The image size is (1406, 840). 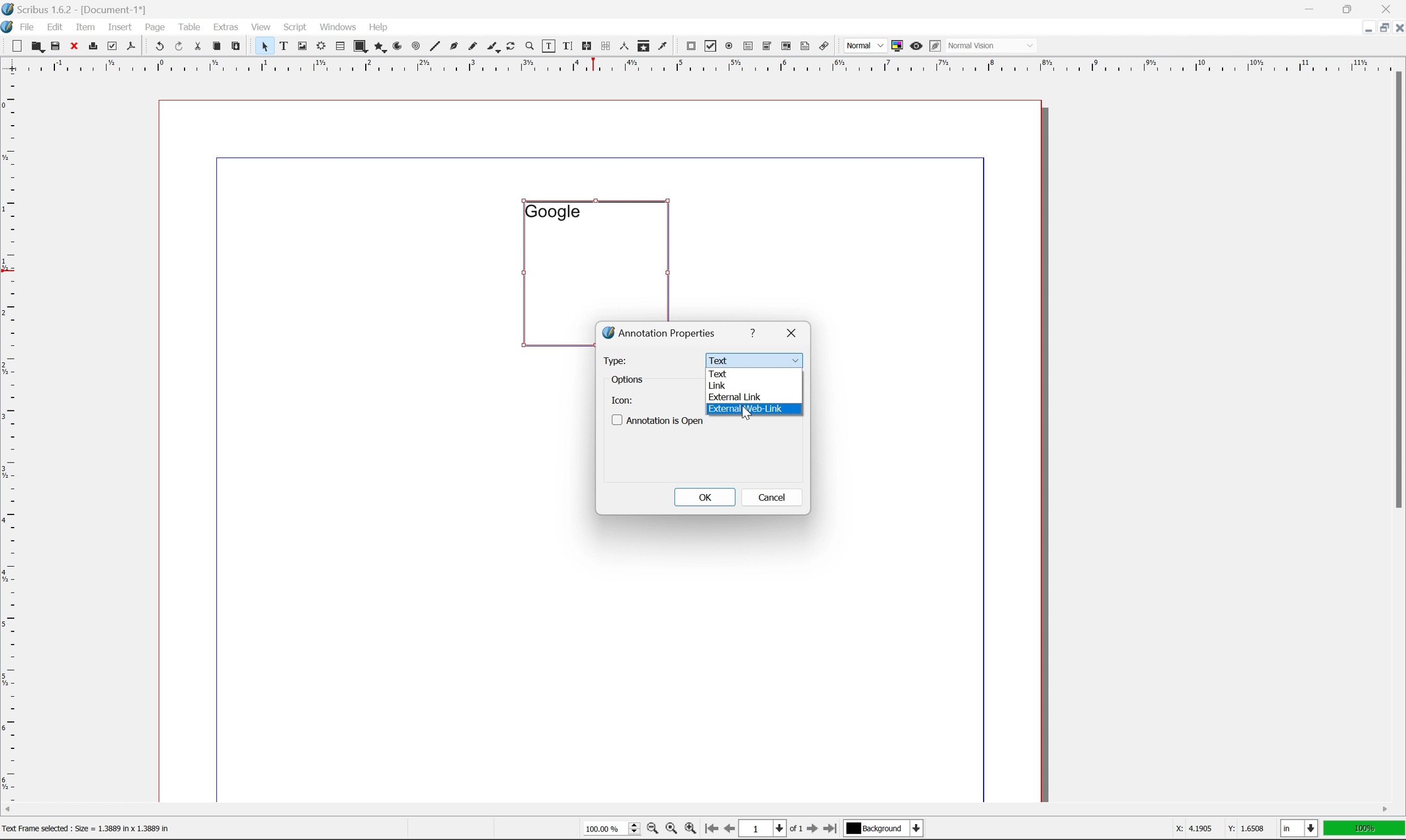 I want to click on ruler, so click(x=10, y=436).